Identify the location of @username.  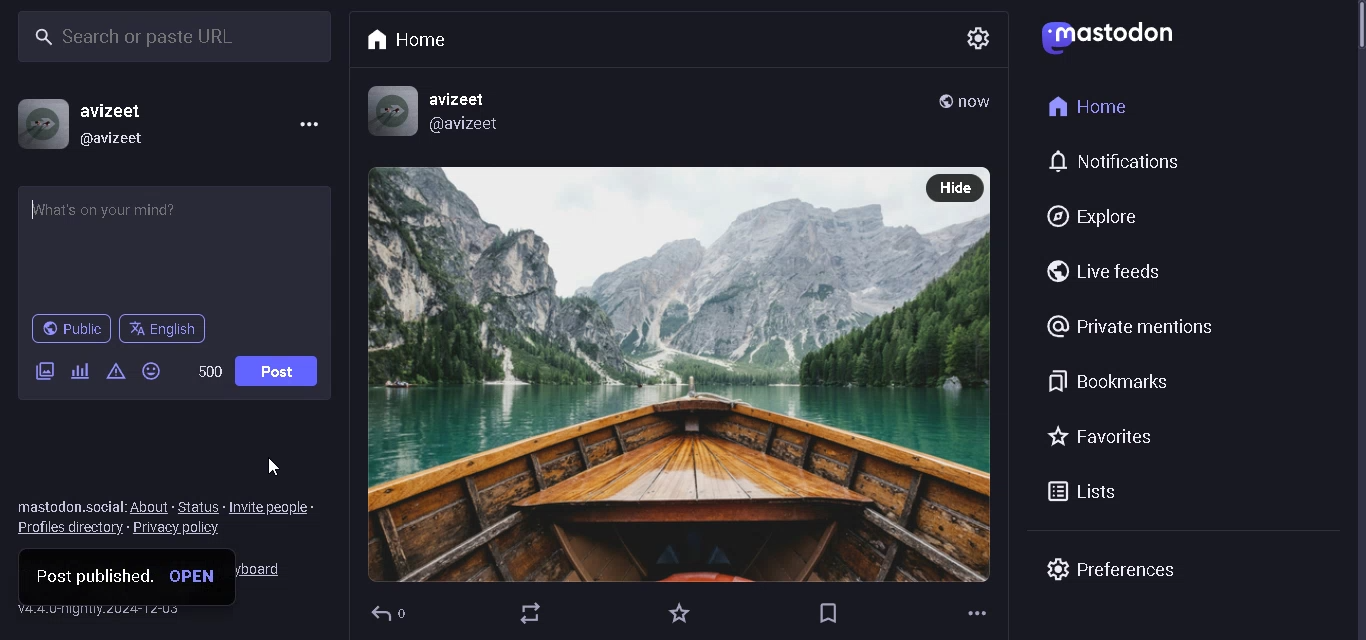
(124, 139).